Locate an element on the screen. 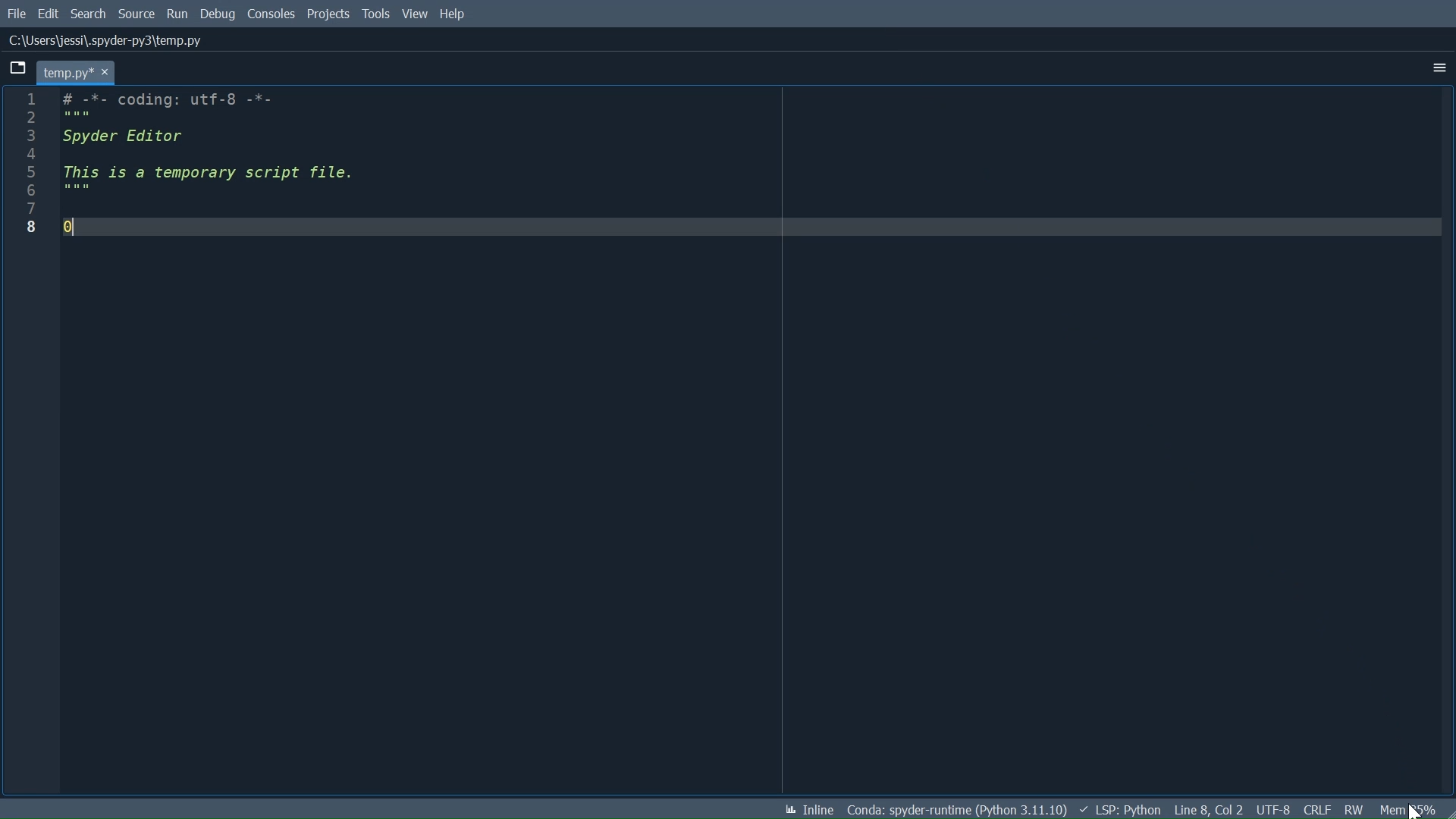 Image resolution: width=1456 pixels, height=819 pixels. Memory Usage is located at coordinates (1405, 809).